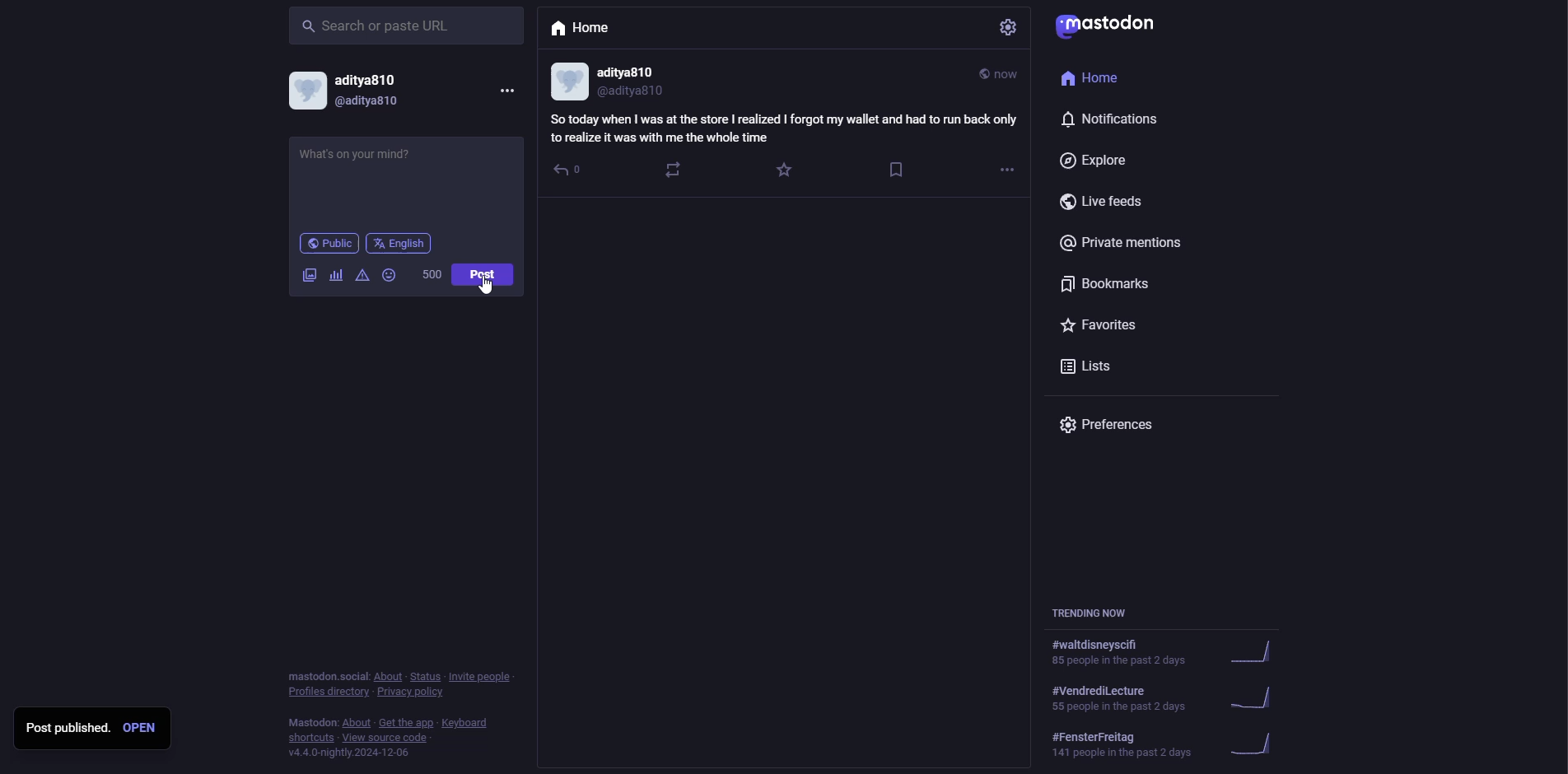 This screenshot has height=774, width=1568. What do you see at coordinates (352, 90) in the screenshot?
I see `account` at bounding box center [352, 90].